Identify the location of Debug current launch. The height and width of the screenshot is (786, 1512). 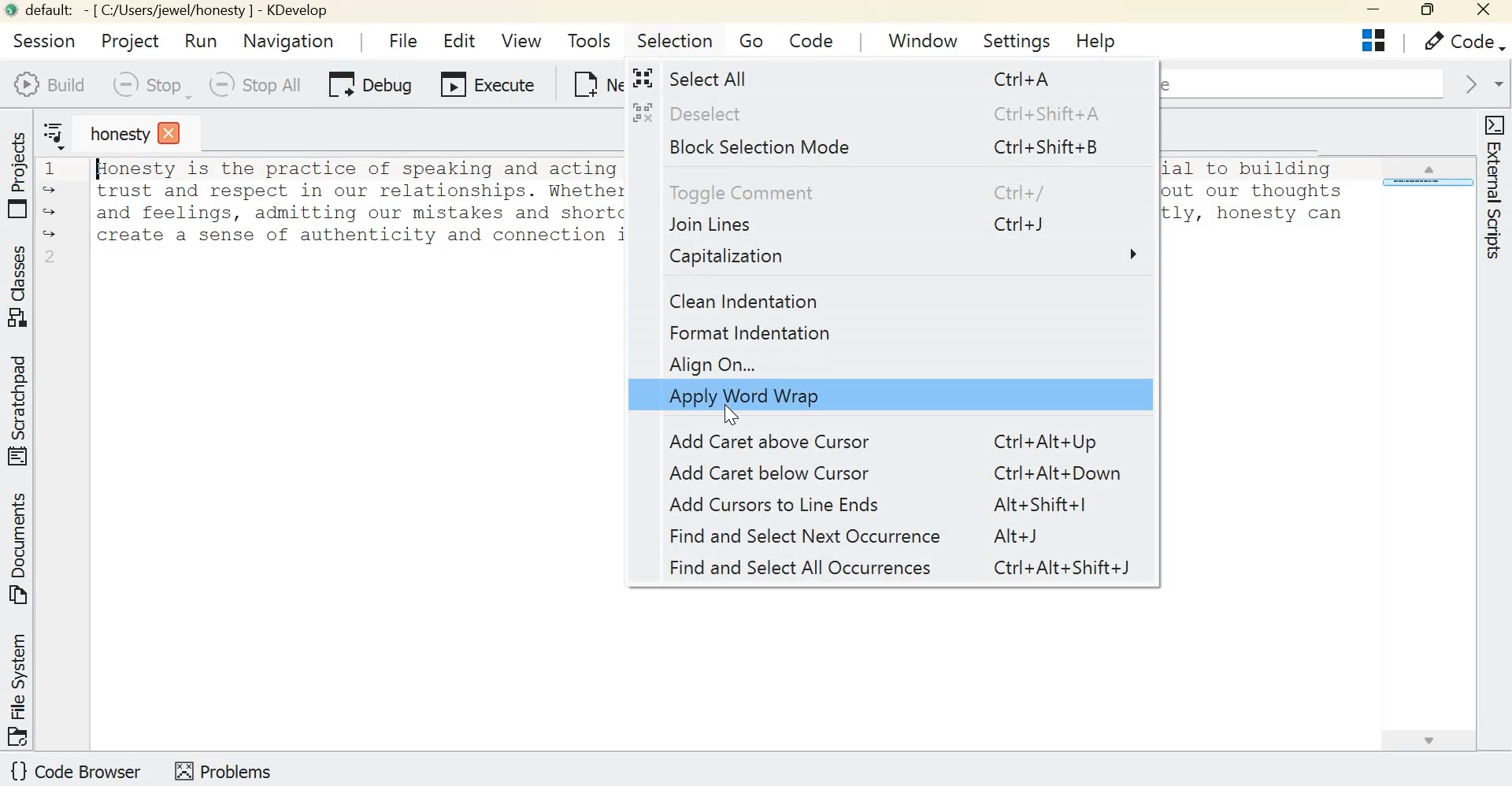
(371, 87).